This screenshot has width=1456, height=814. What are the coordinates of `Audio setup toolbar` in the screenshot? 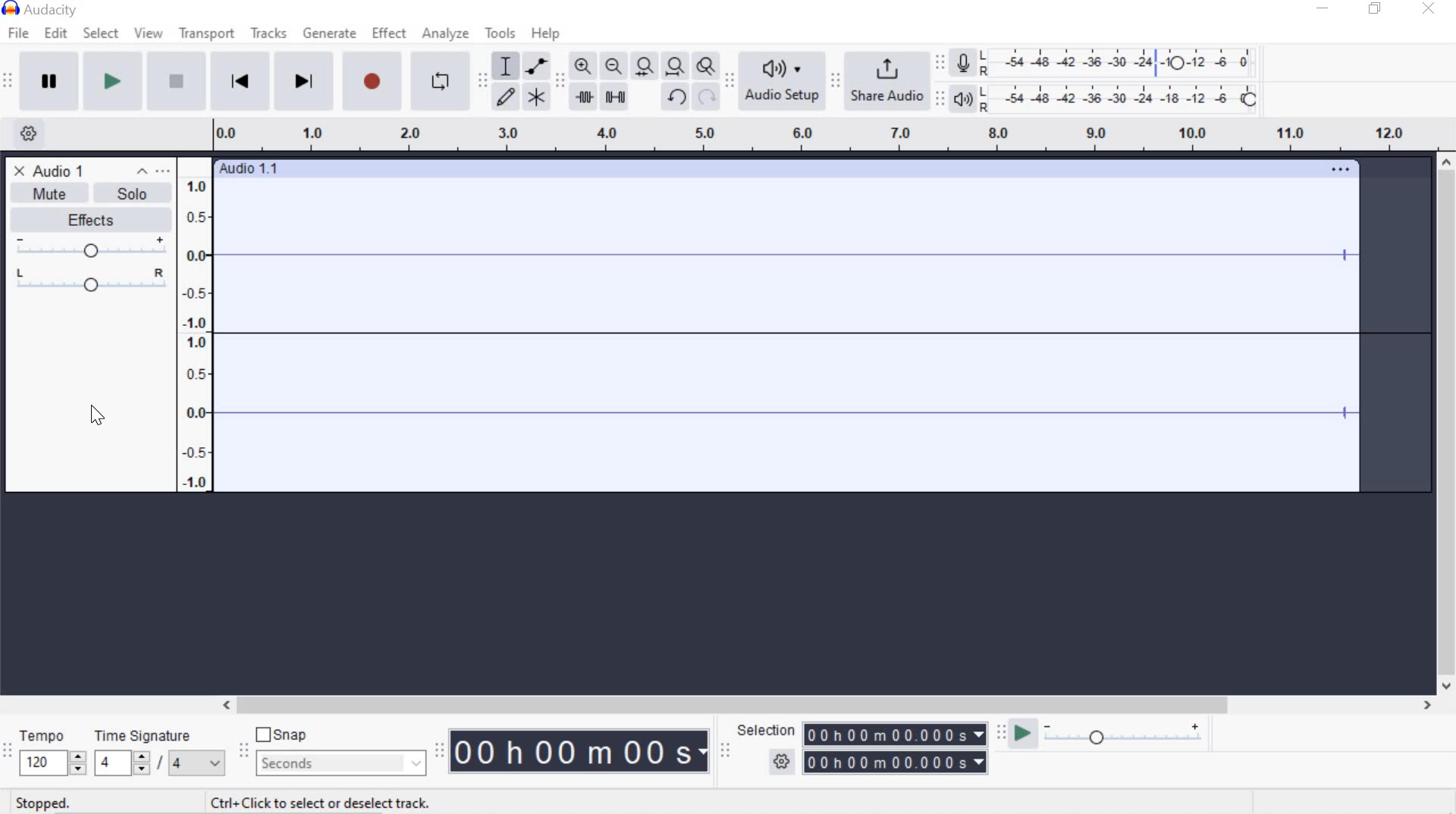 It's located at (730, 82).